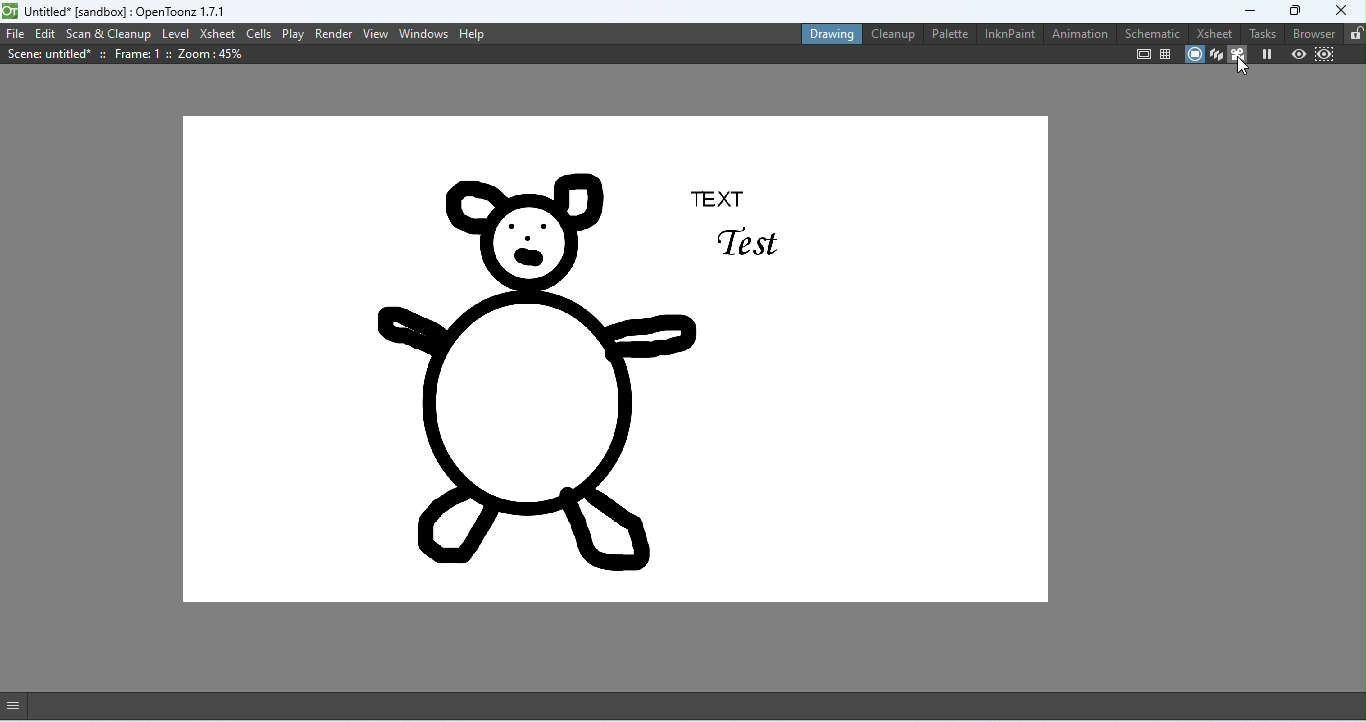 The image size is (1366, 722). I want to click on Xsheet, so click(1210, 32).